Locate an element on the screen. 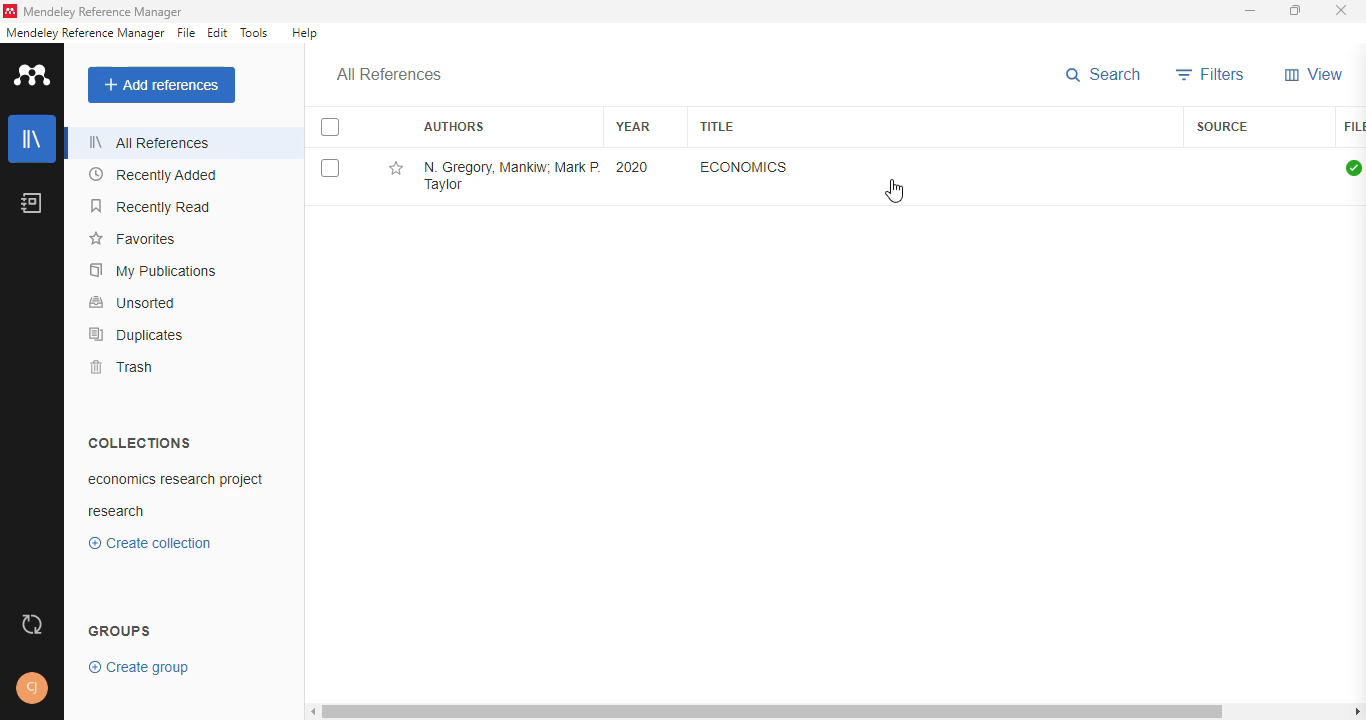 Image resolution: width=1366 pixels, height=720 pixels. file is located at coordinates (188, 33).